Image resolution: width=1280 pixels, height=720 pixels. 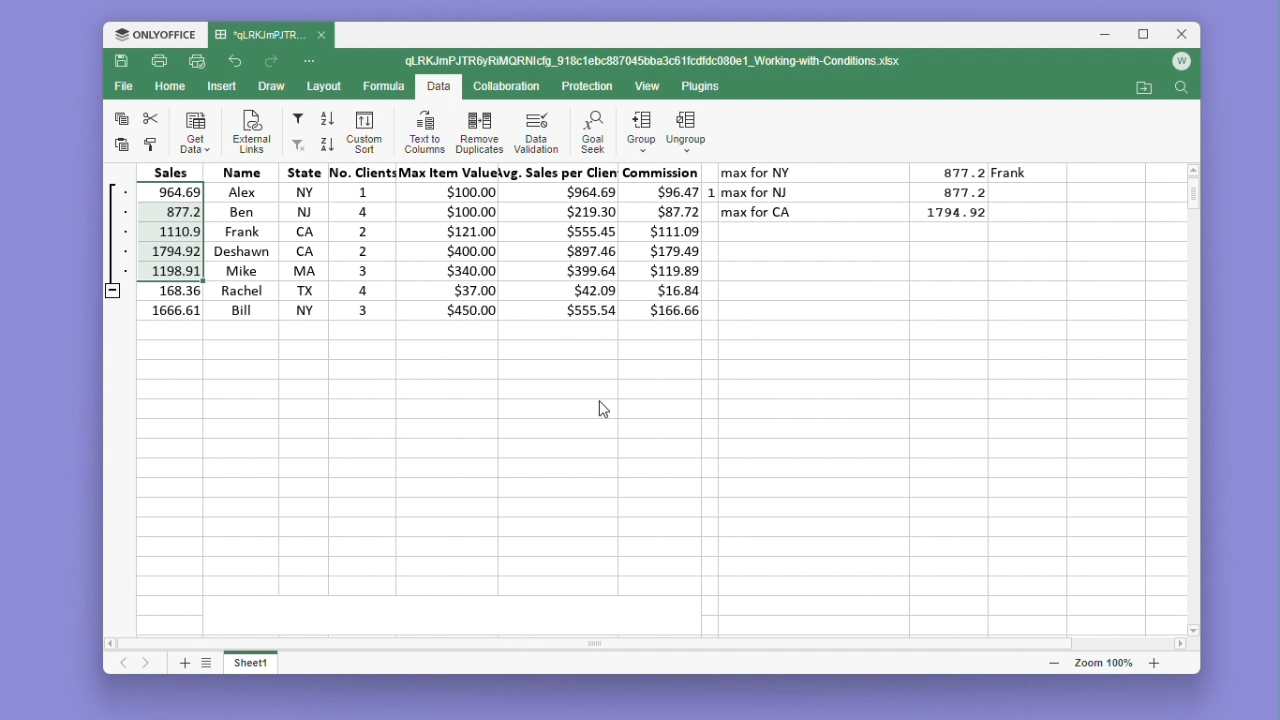 What do you see at coordinates (158, 63) in the screenshot?
I see `Print file` at bounding box center [158, 63].